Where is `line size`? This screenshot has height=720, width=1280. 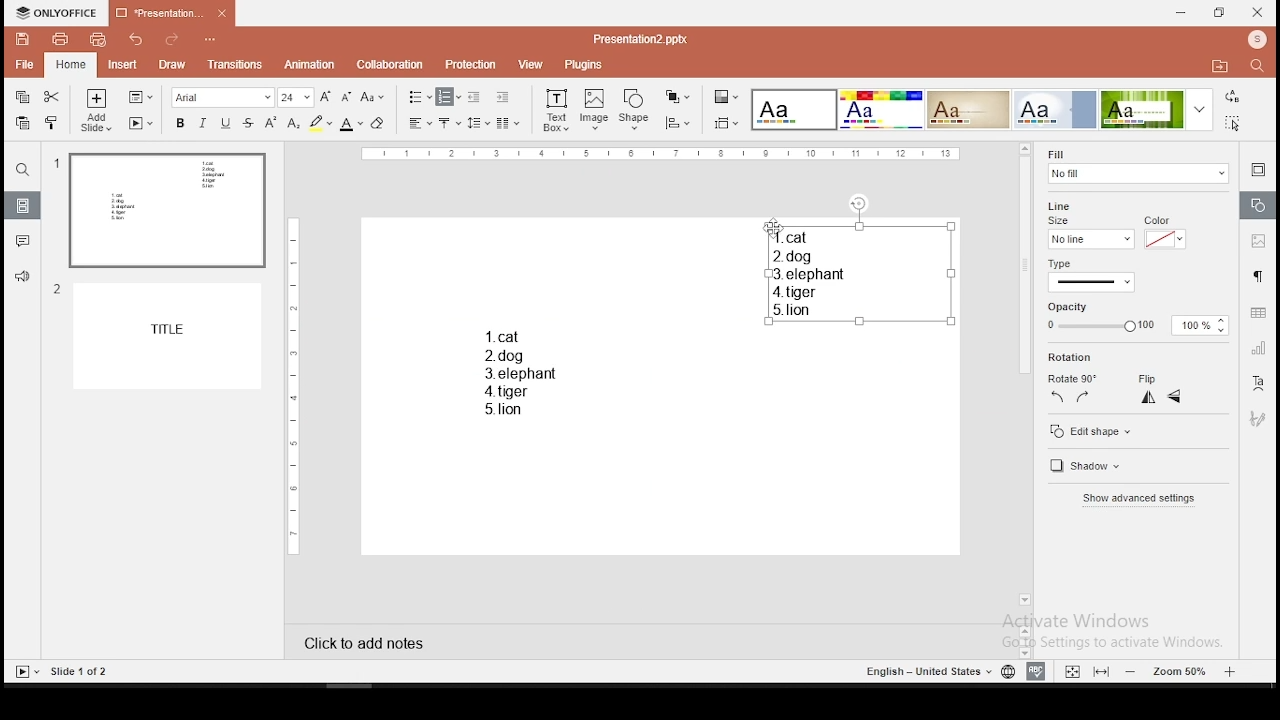
line size is located at coordinates (1064, 212).